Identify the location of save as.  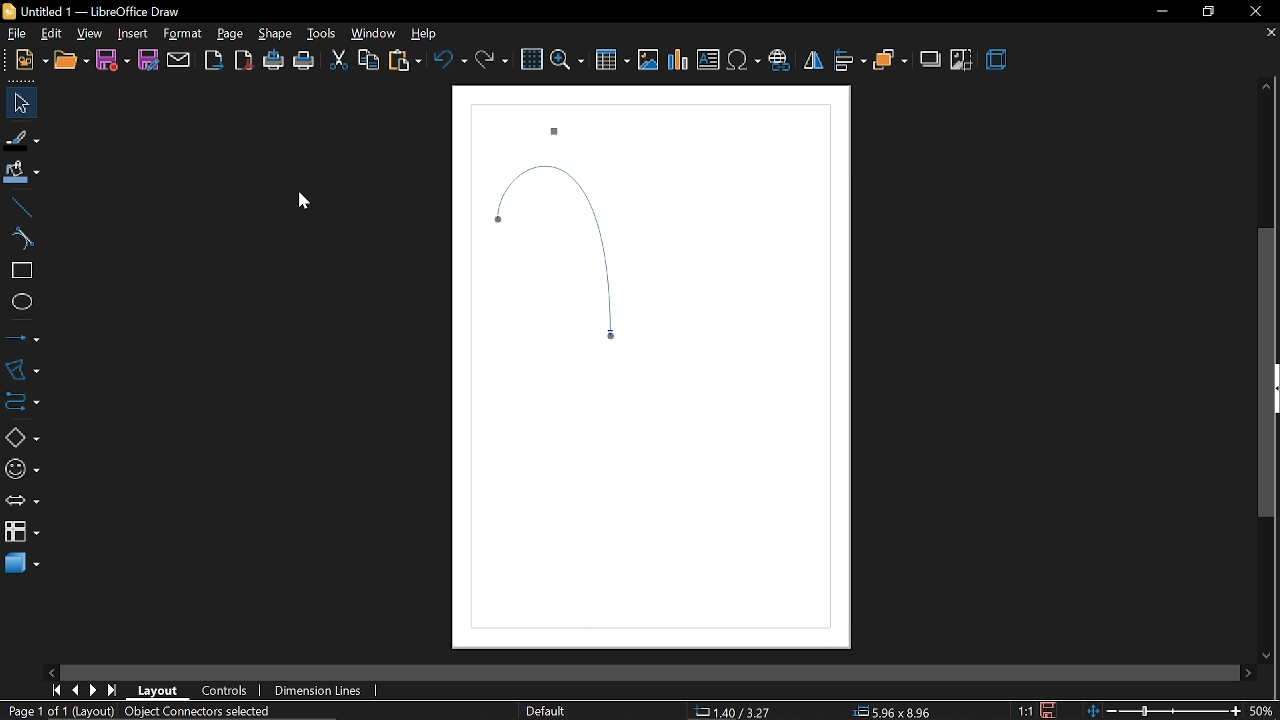
(147, 60).